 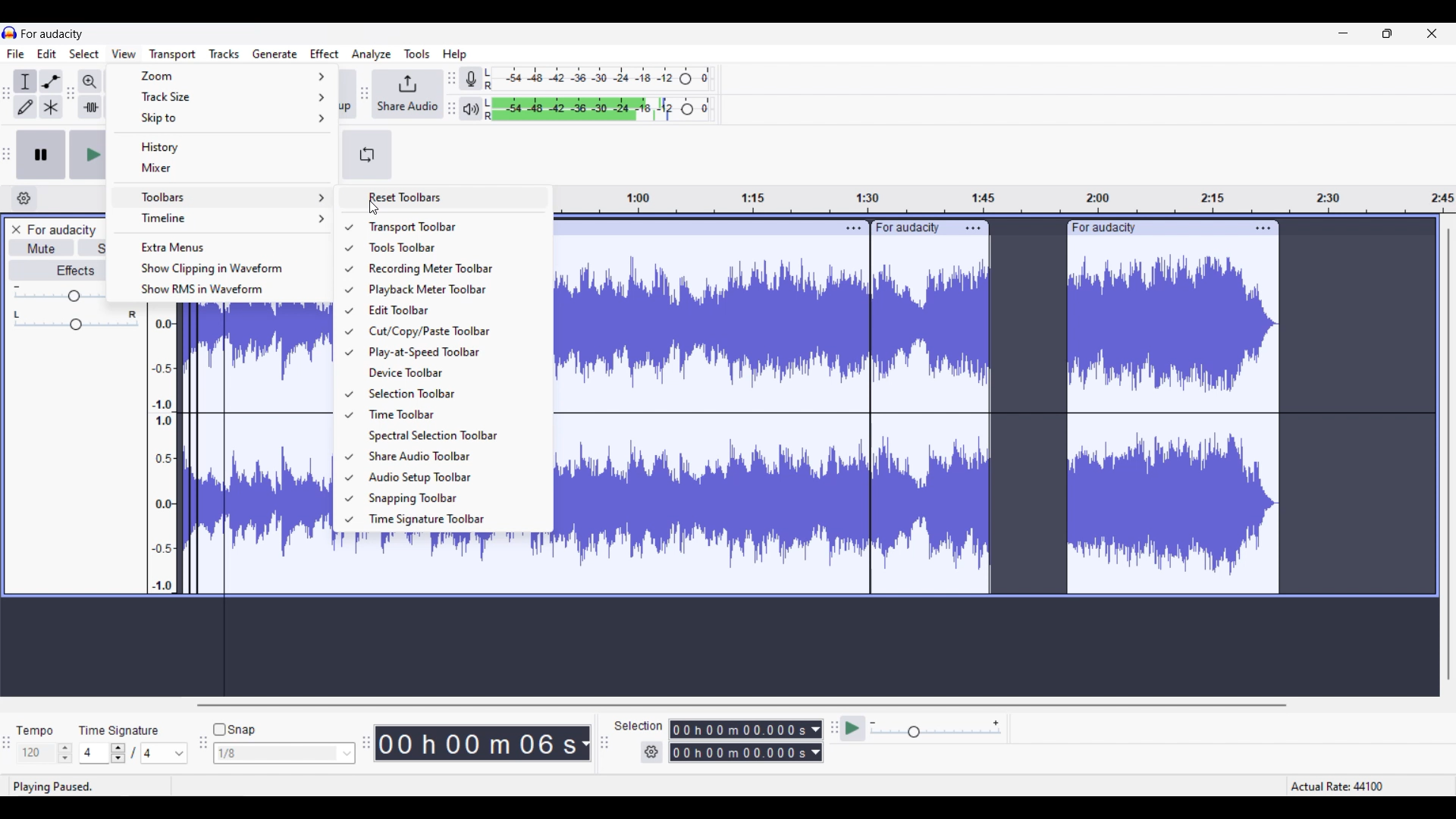 I want to click on Track size options, so click(x=221, y=96).